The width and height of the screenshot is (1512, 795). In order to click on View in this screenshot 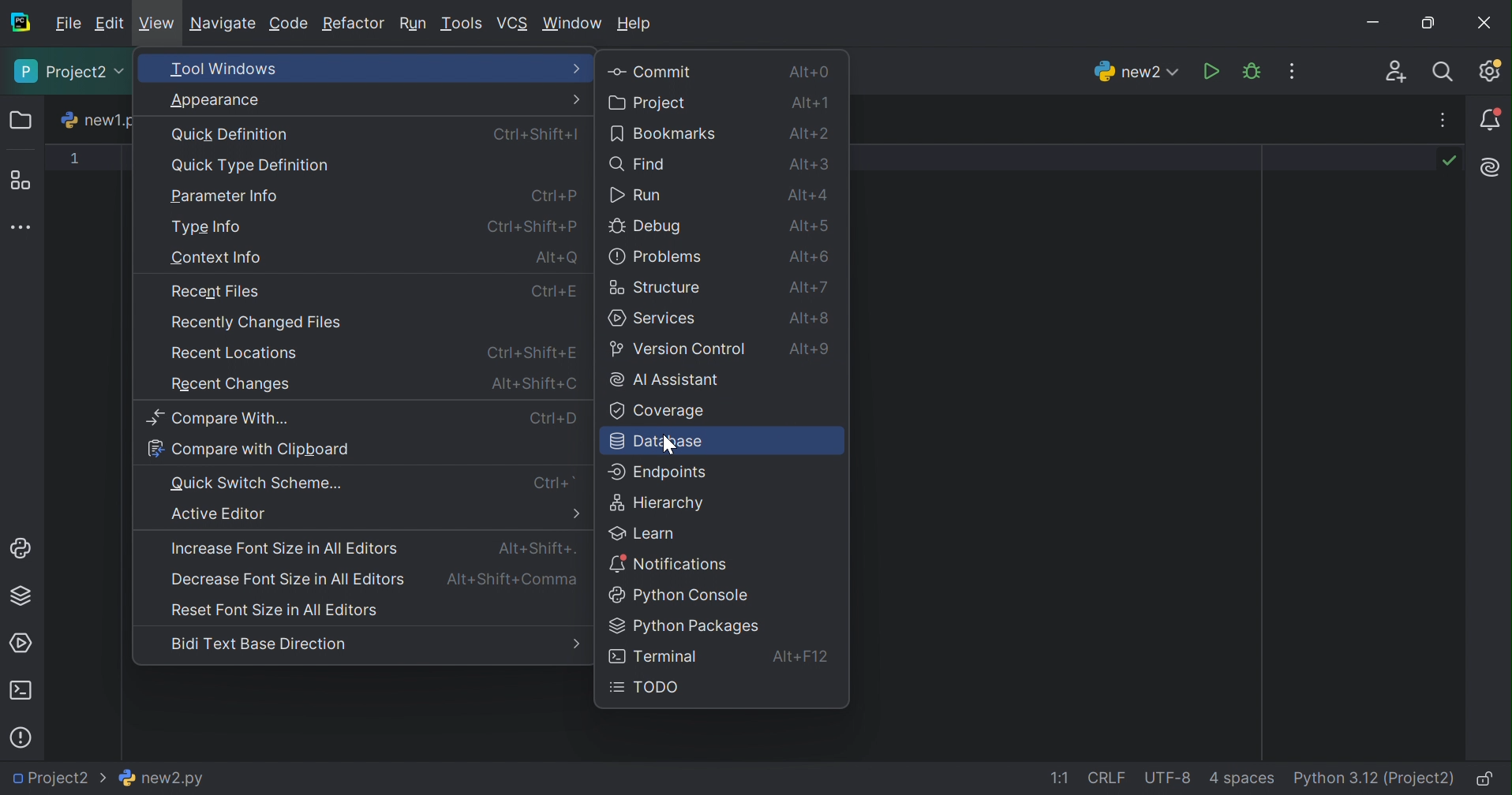, I will do `click(156, 25)`.